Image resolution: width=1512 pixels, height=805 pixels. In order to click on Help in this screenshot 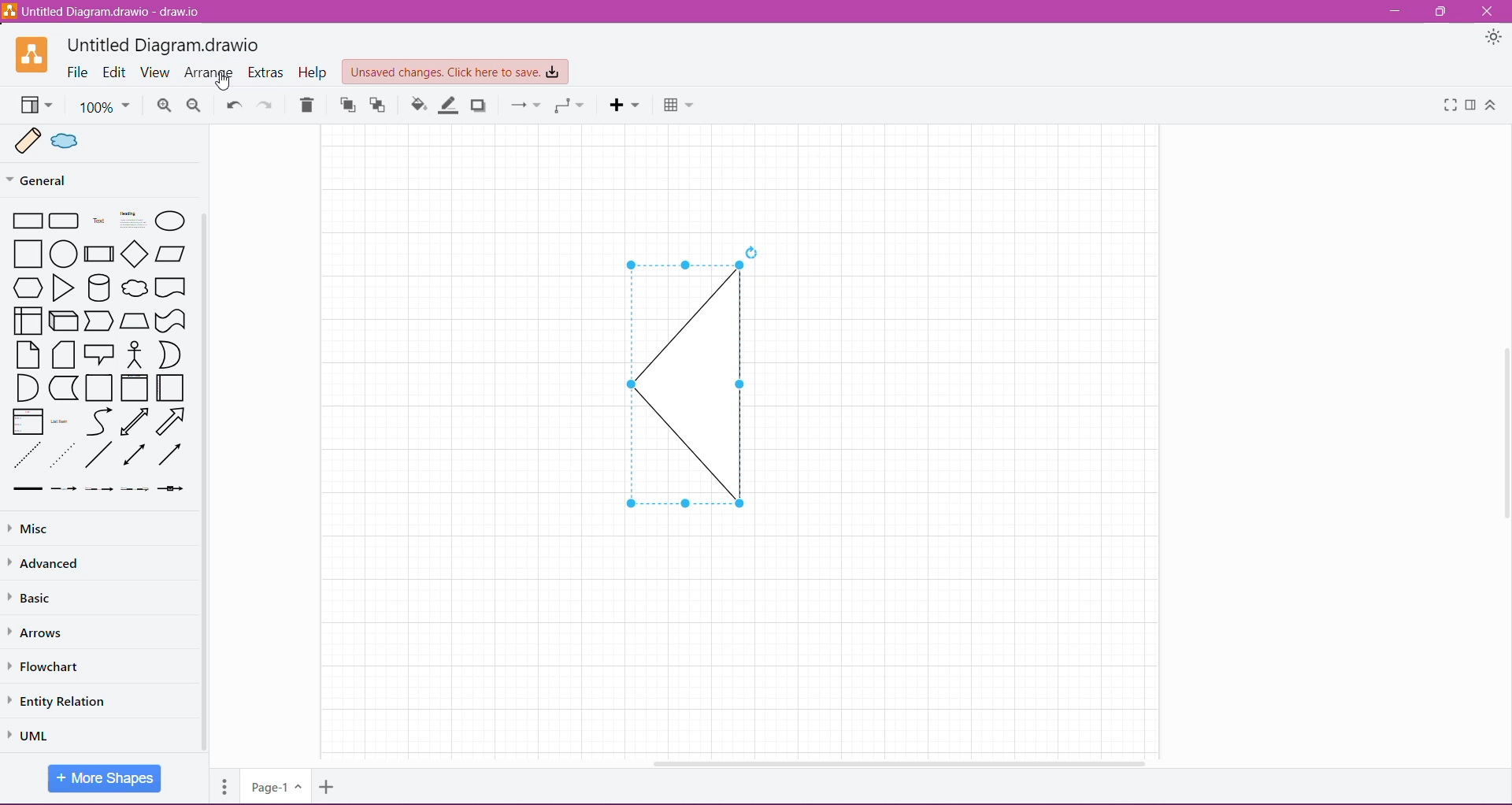, I will do `click(310, 72)`.